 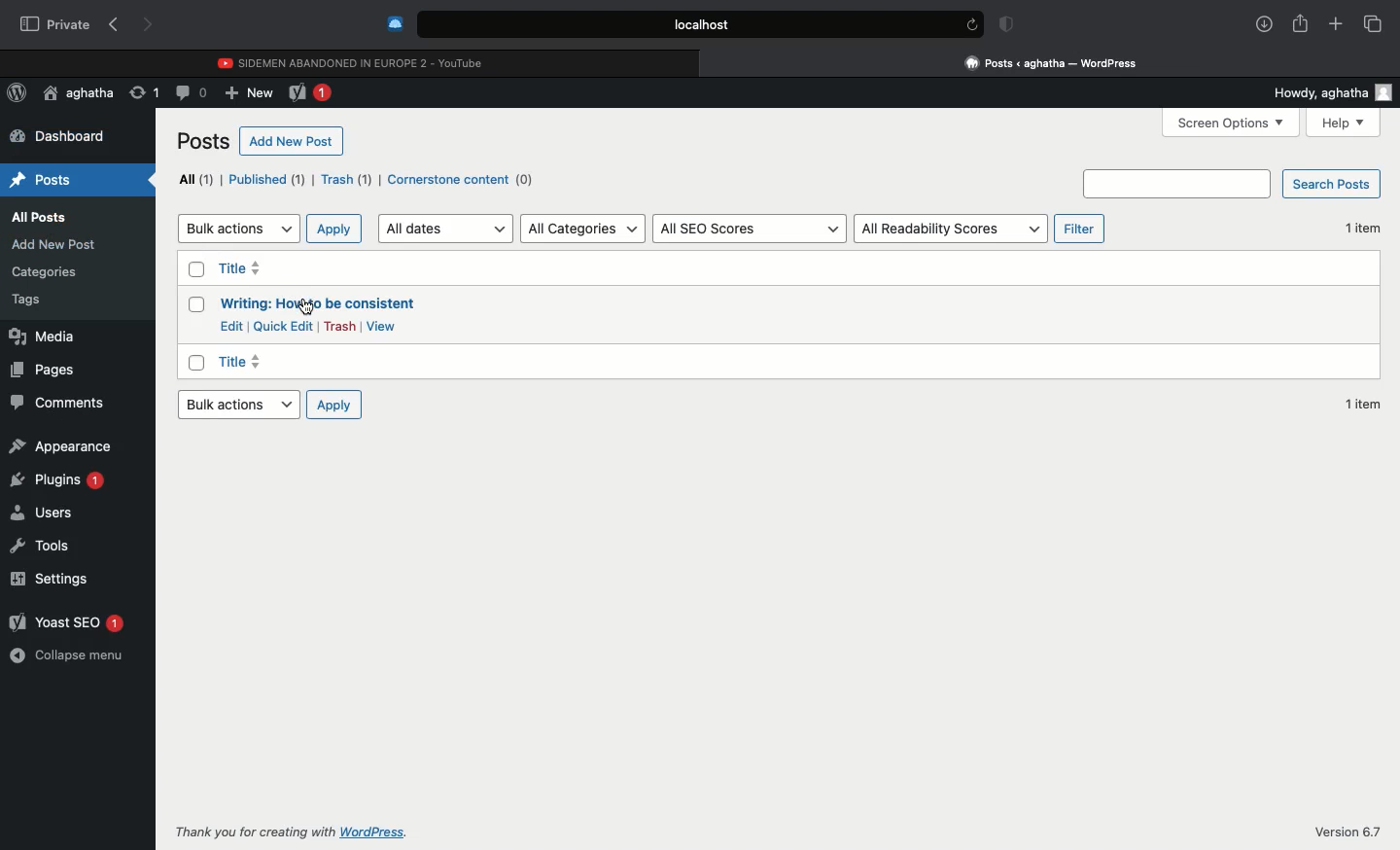 What do you see at coordinates (64, 581) in the screenshot?
I see `settings` at bounding box center [64, 581].